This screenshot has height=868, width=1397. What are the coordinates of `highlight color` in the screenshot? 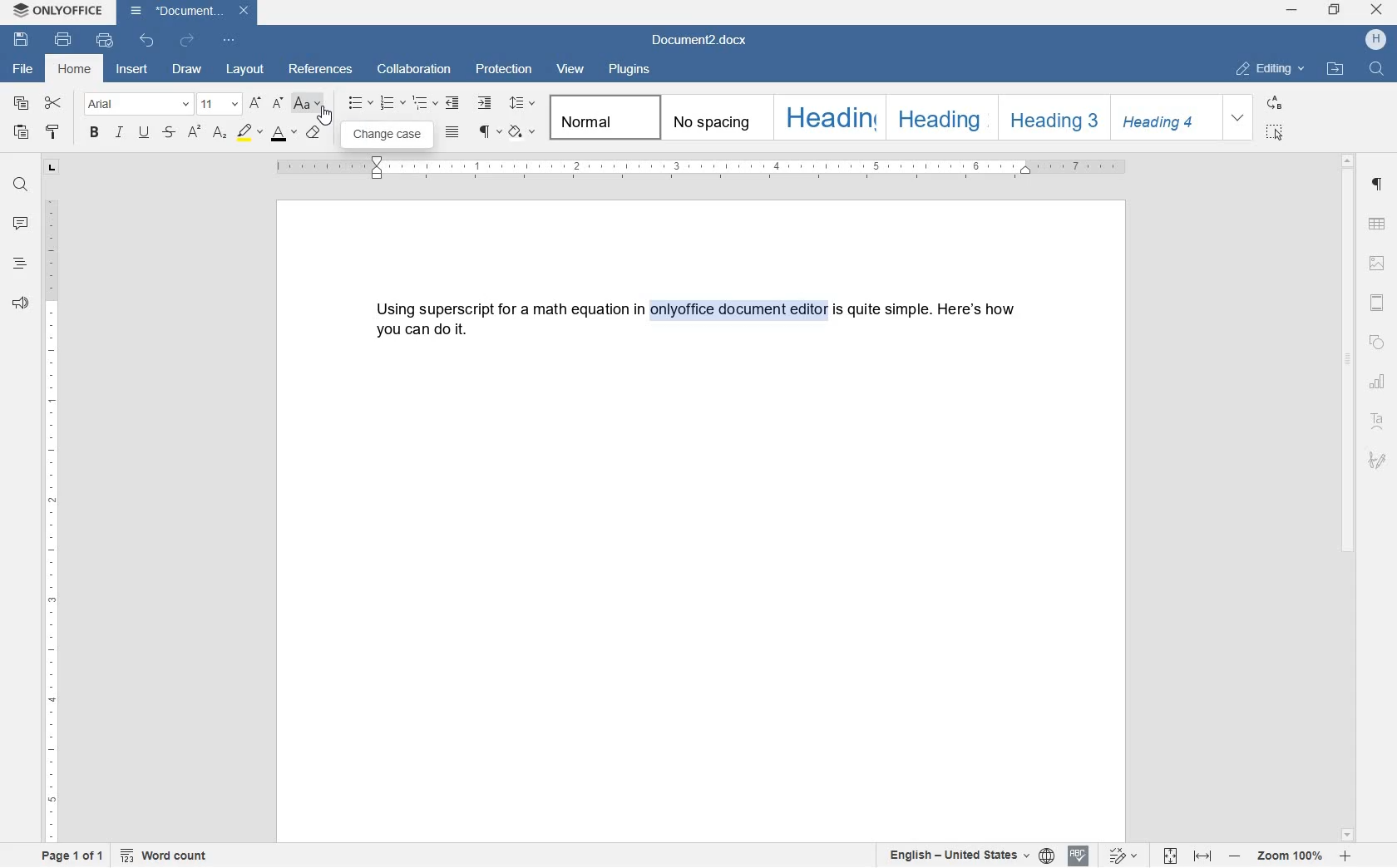 It's located at (248, 131).